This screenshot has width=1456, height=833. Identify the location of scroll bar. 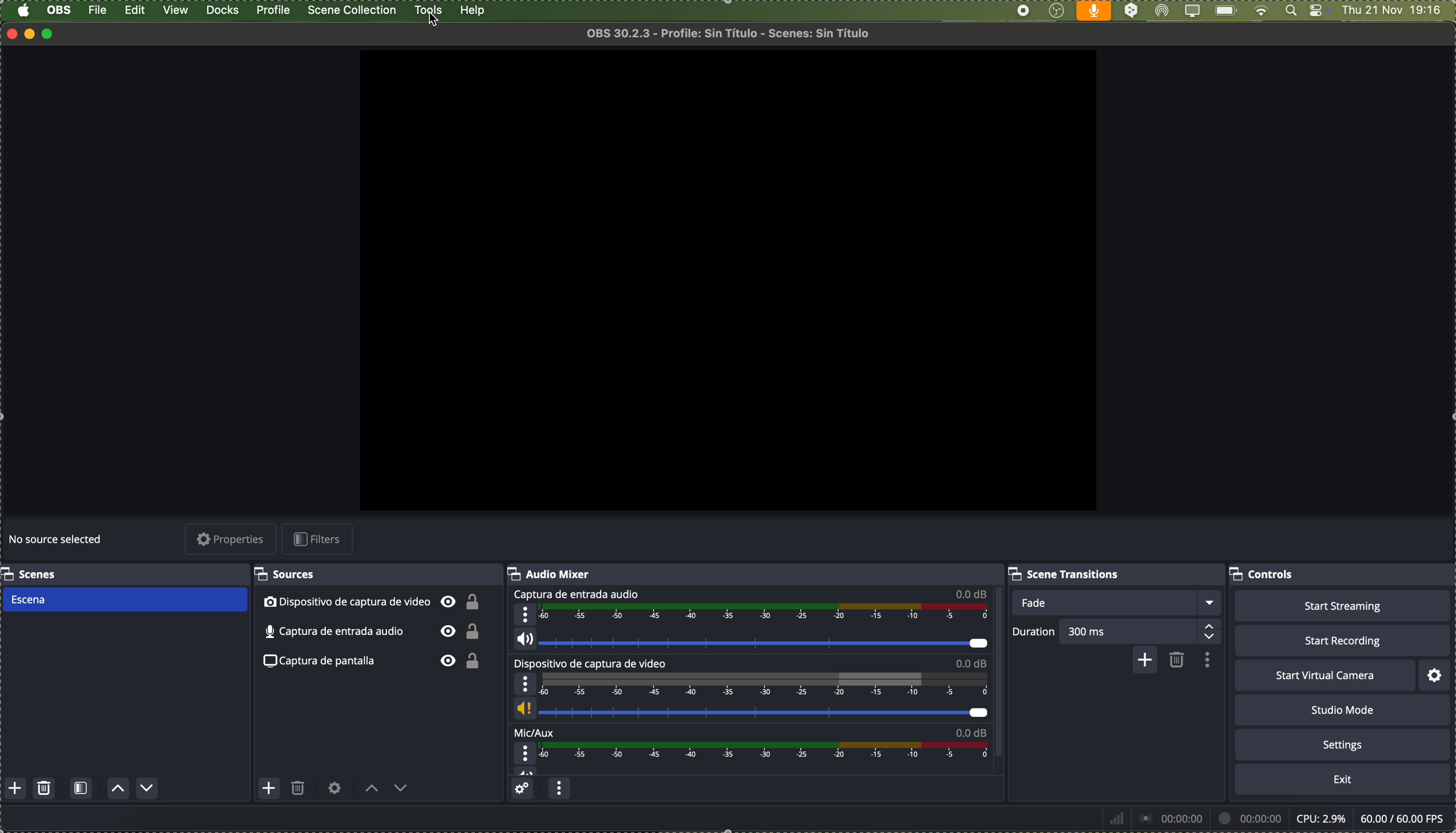
(1004, 675).